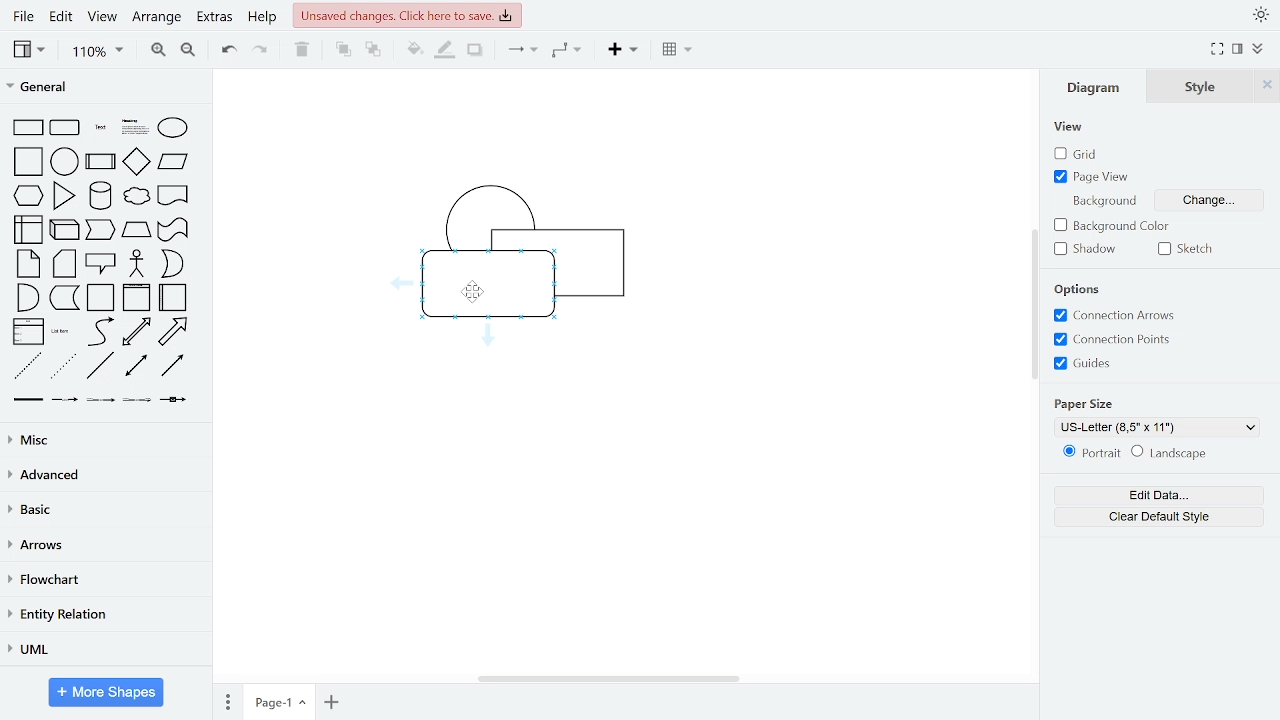 Image resolution: width=1280 pixels, height=720 pixels. Describe the element at coordinates (99, 127) in the screenshot. I see `text` at that location.